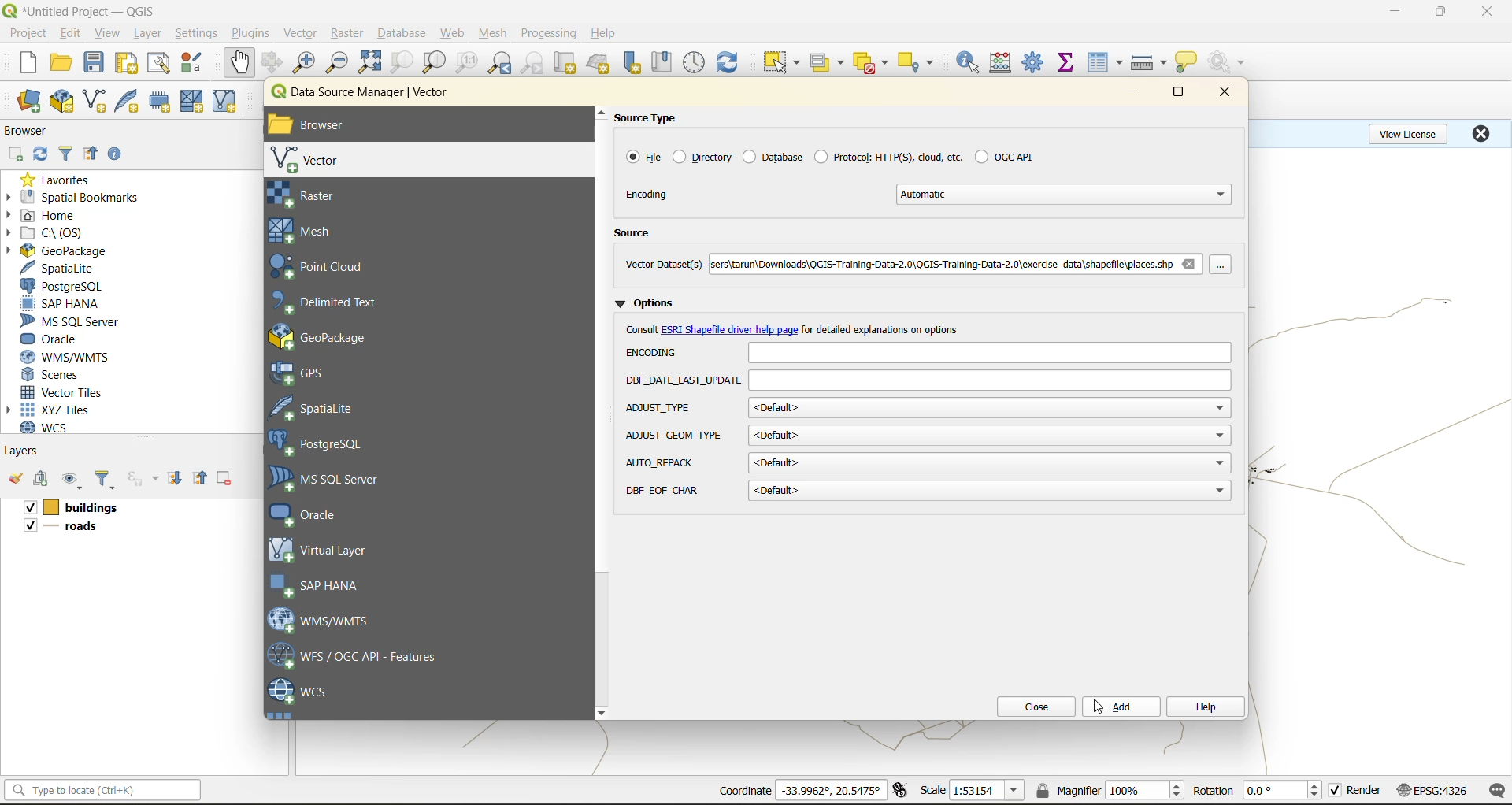  Describe the element at coordinates (731, 331) in the screenshot. I see `link` at that location.